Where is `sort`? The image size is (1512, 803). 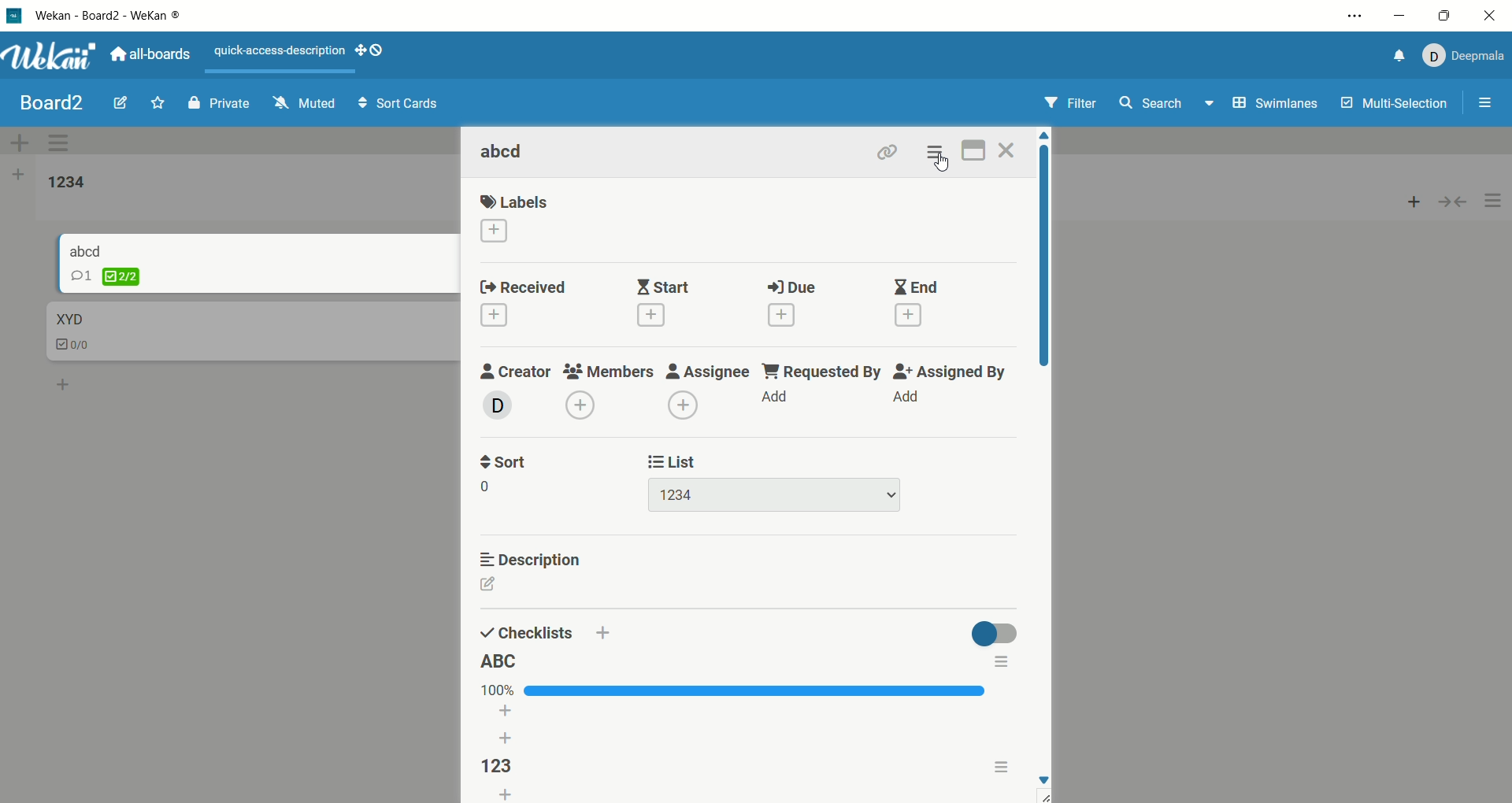
sort is located at coordinates (507, 472).